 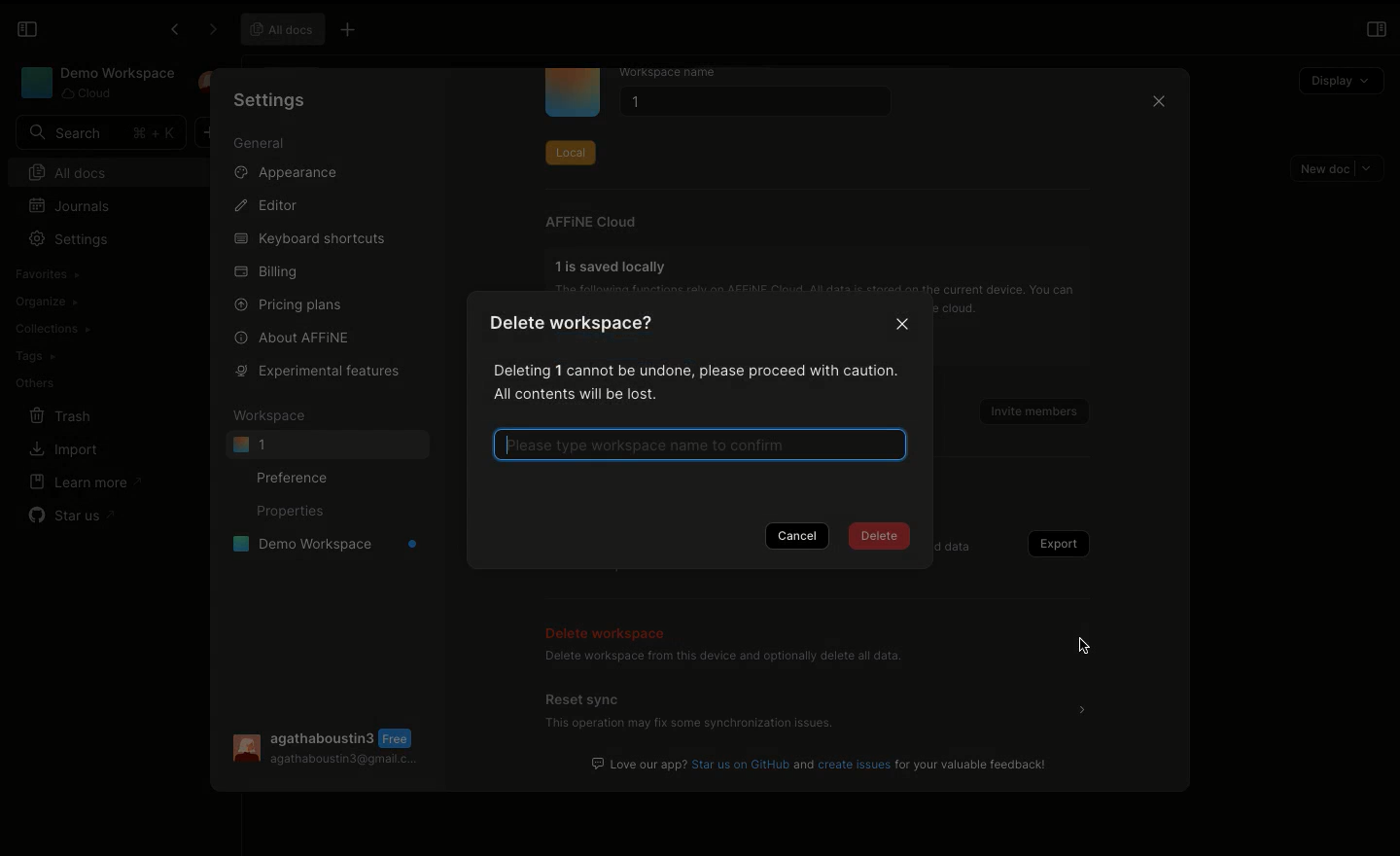 What do you see at coordinates (690, 381) in the screenshot?
I see `Deleting 1 cannot be undone, please proceed with caution. All contents will be lost` at bounding box center [690, 381].